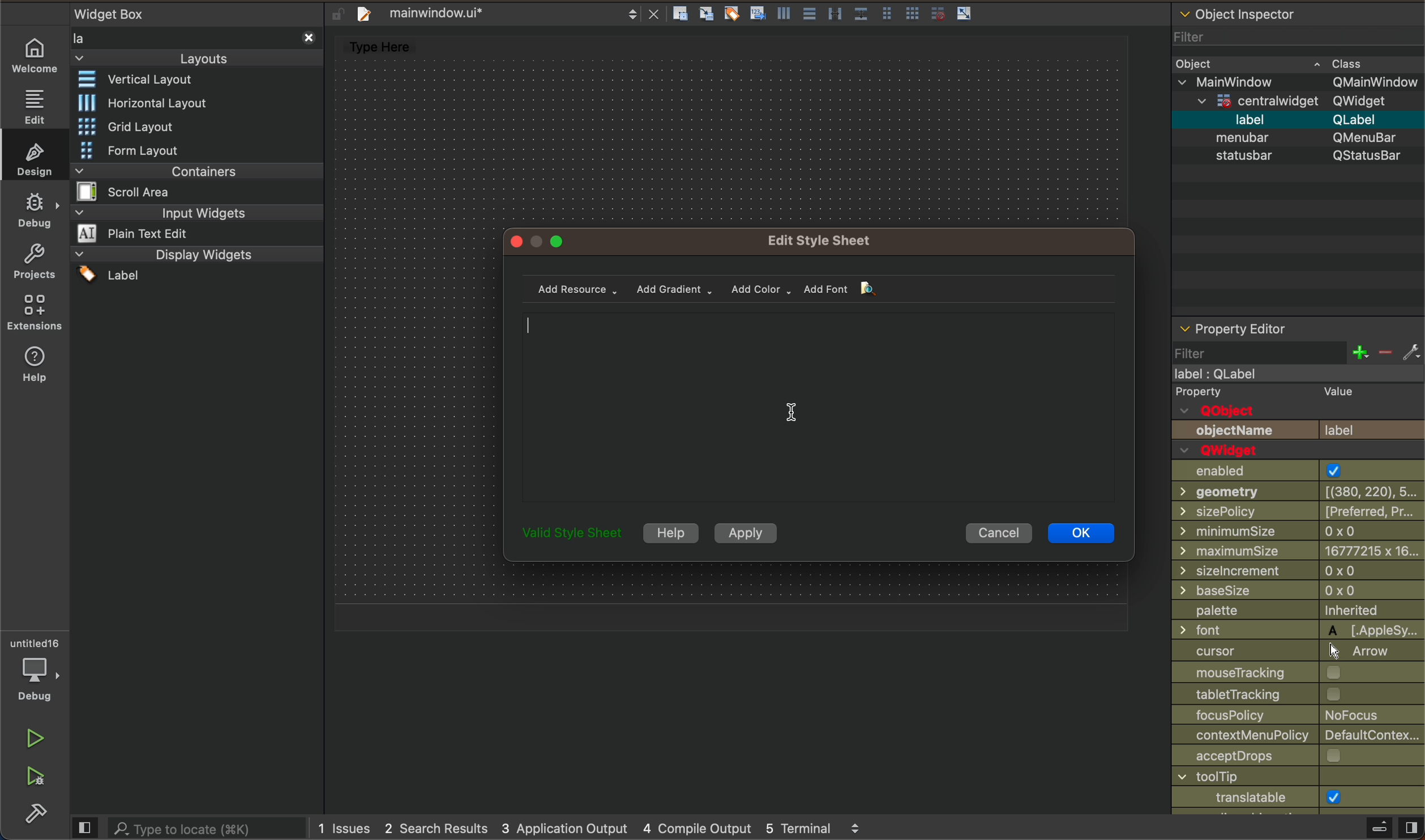 This screenshot has width=1425, height=840. Describe the element at coordinates (675, 291) in the screenshot. I see `Gradients ` at that location.